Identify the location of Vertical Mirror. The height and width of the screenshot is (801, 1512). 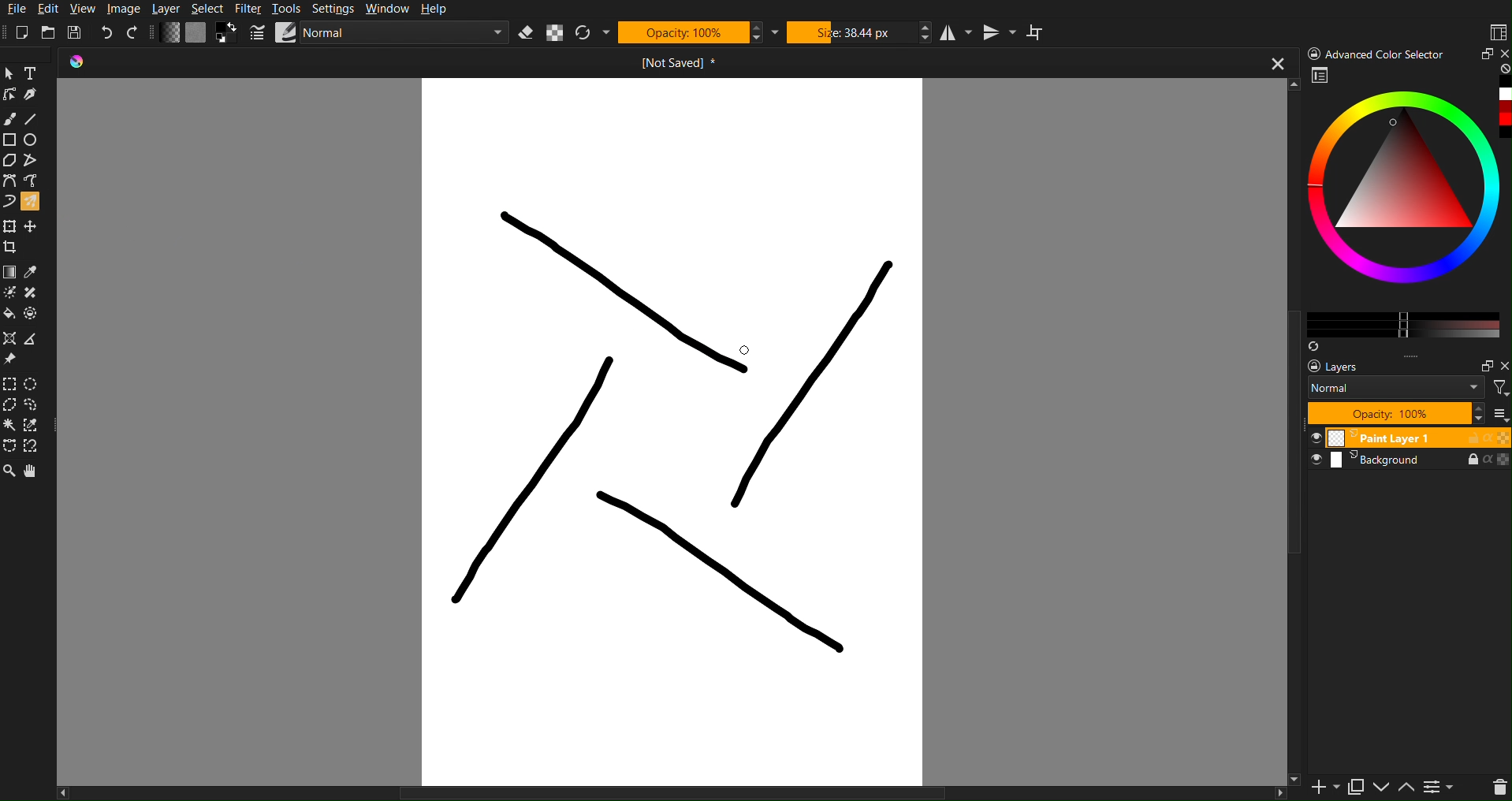
(1003, 32).